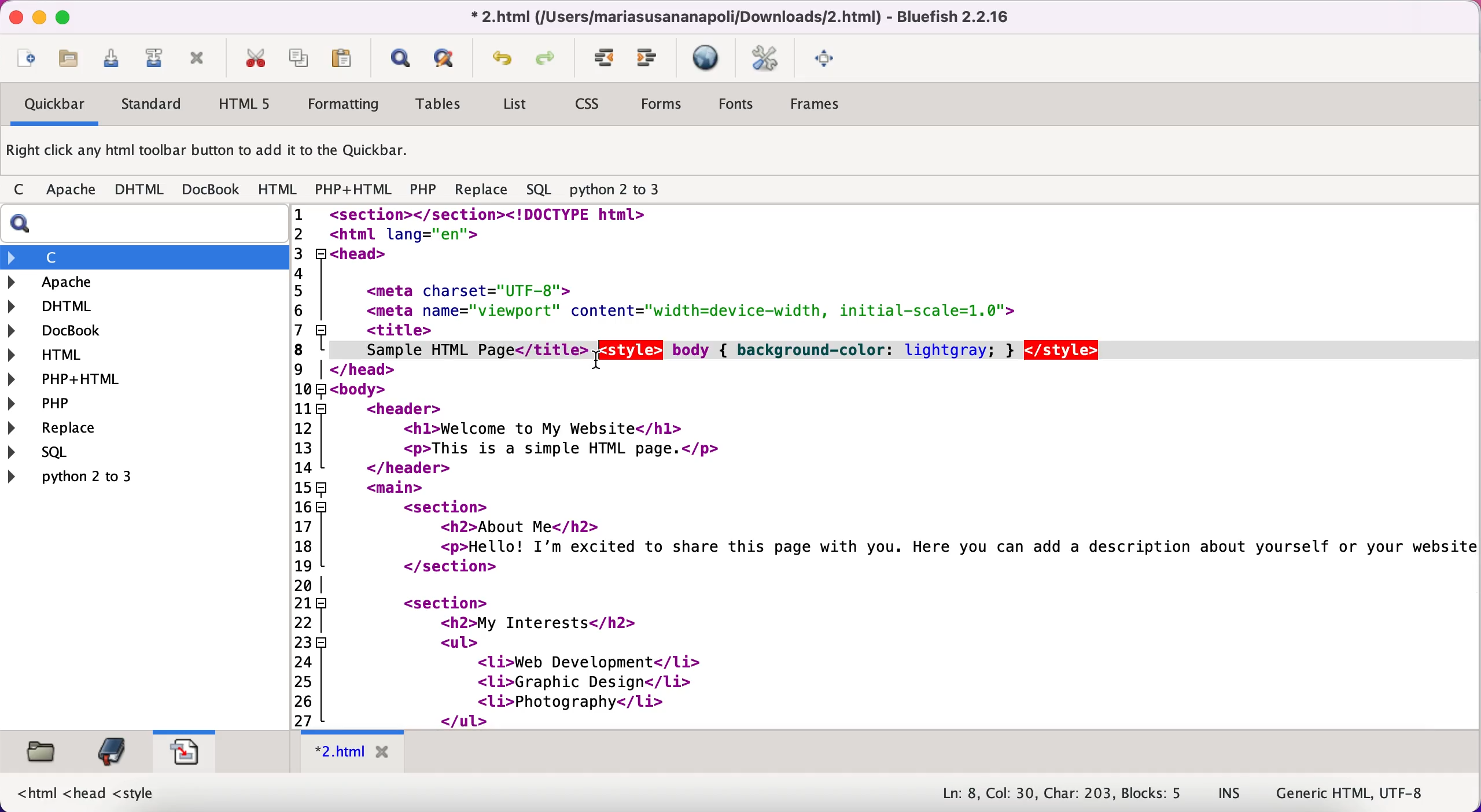 The image size is (1481, 812). What do you see at coordinates (503, 61) in the screenshot?
I see `undo` at bounding box center [503, 61].